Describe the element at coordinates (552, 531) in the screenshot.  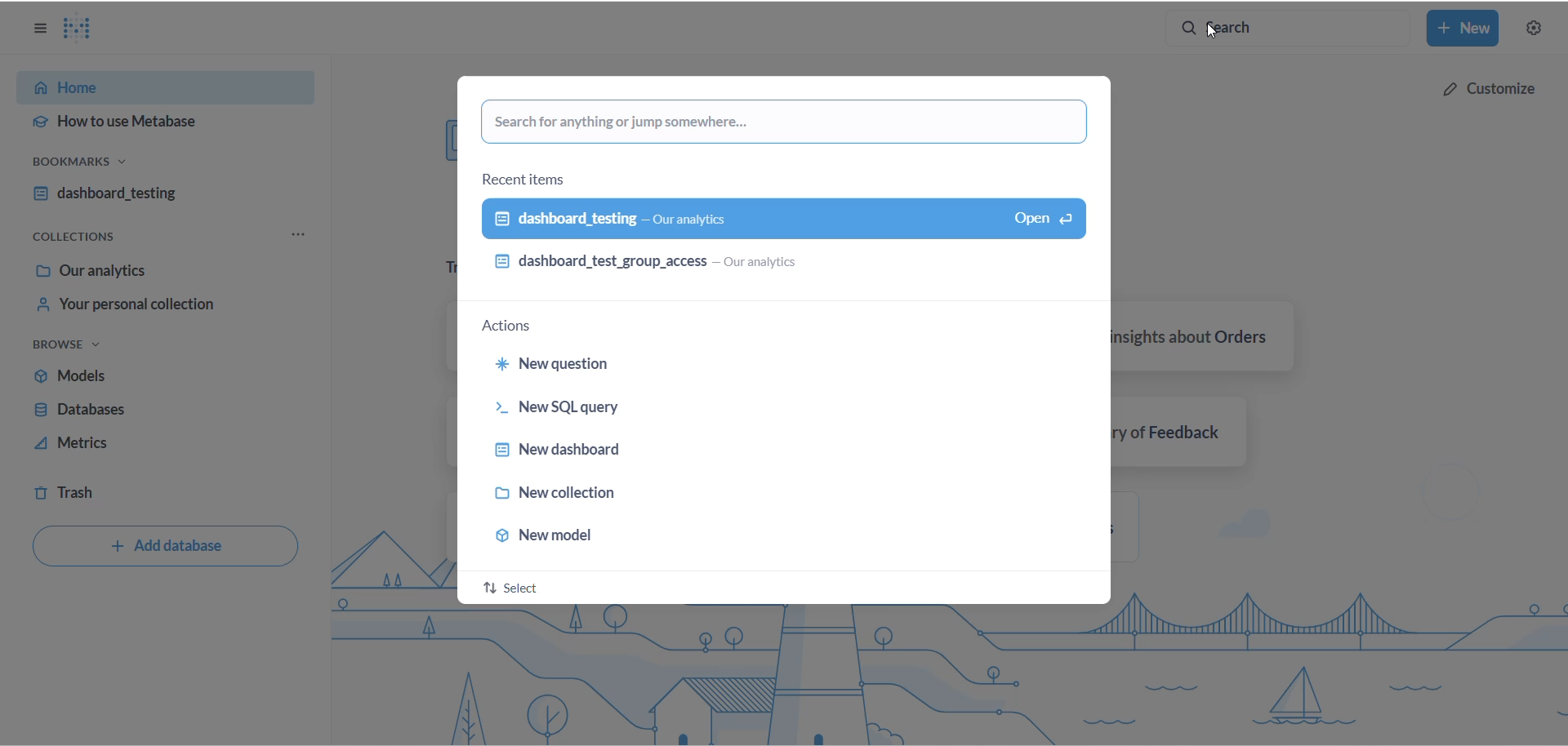
I see `new model` at that location.